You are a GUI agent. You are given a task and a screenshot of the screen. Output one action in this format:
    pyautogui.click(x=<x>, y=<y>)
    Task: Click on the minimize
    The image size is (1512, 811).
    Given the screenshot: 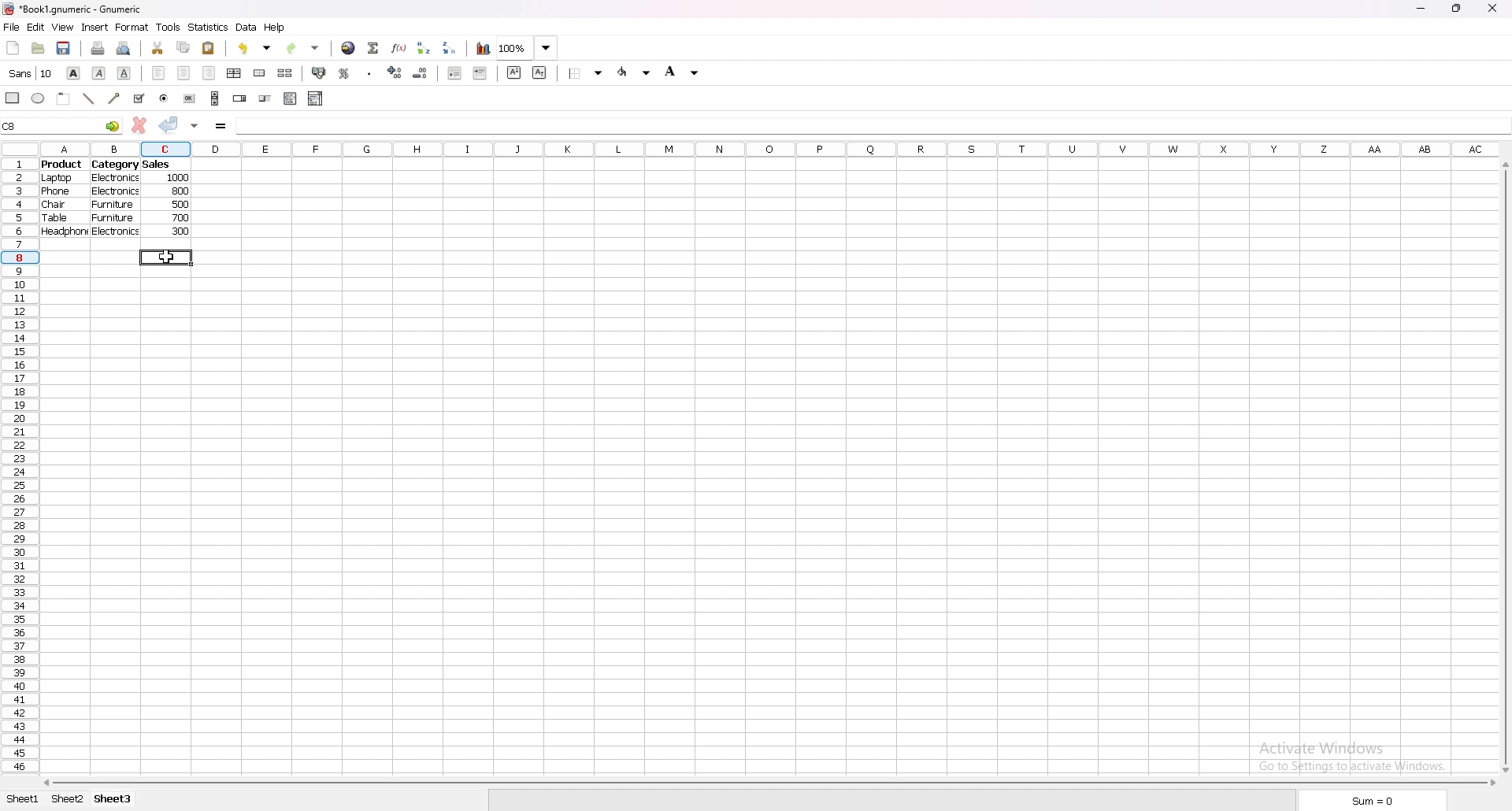 What is the action you would take?
    pyautogui.click(x=1421, y=9)
    